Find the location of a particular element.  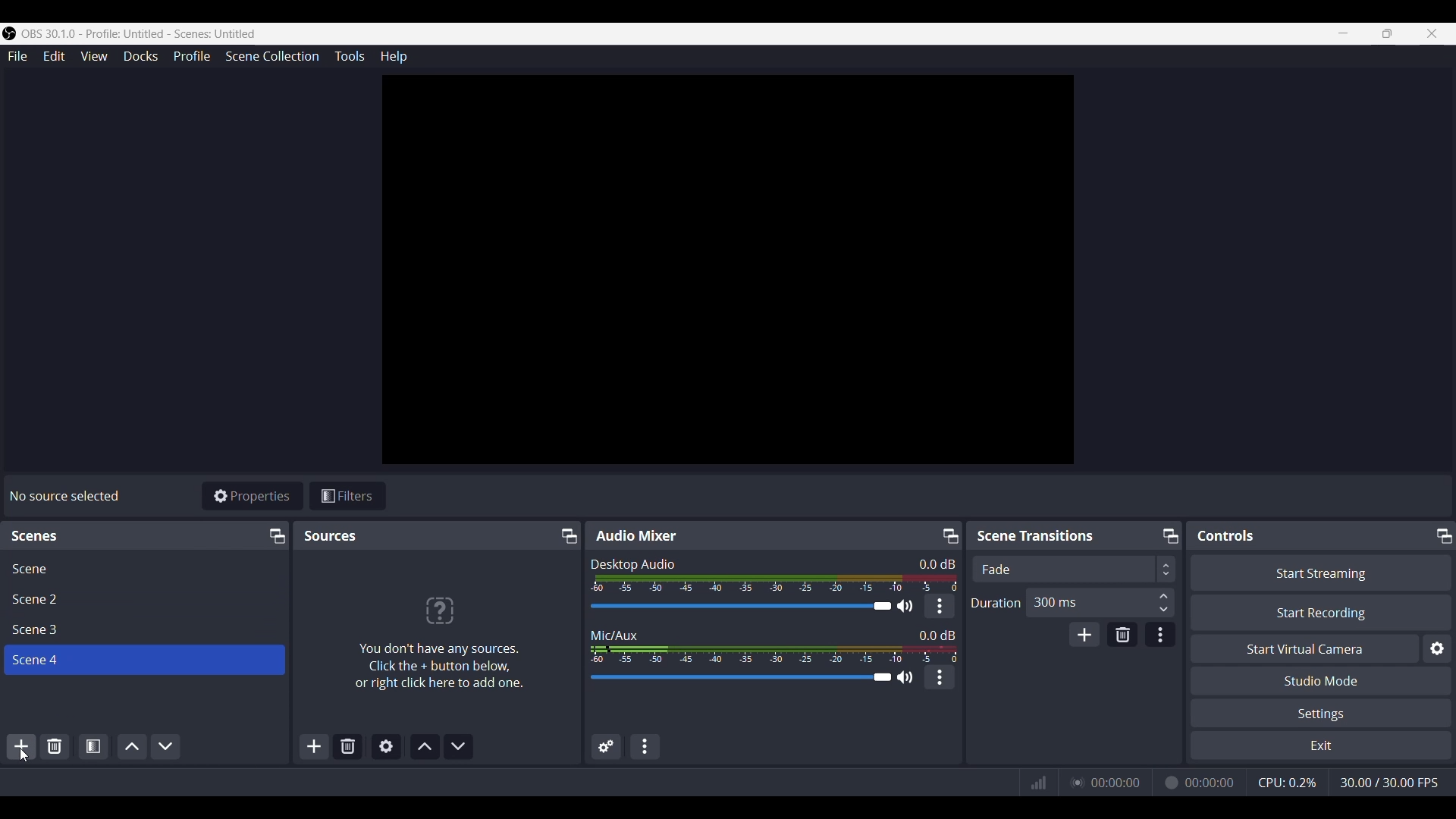

More is located at coordinates (940, 677).